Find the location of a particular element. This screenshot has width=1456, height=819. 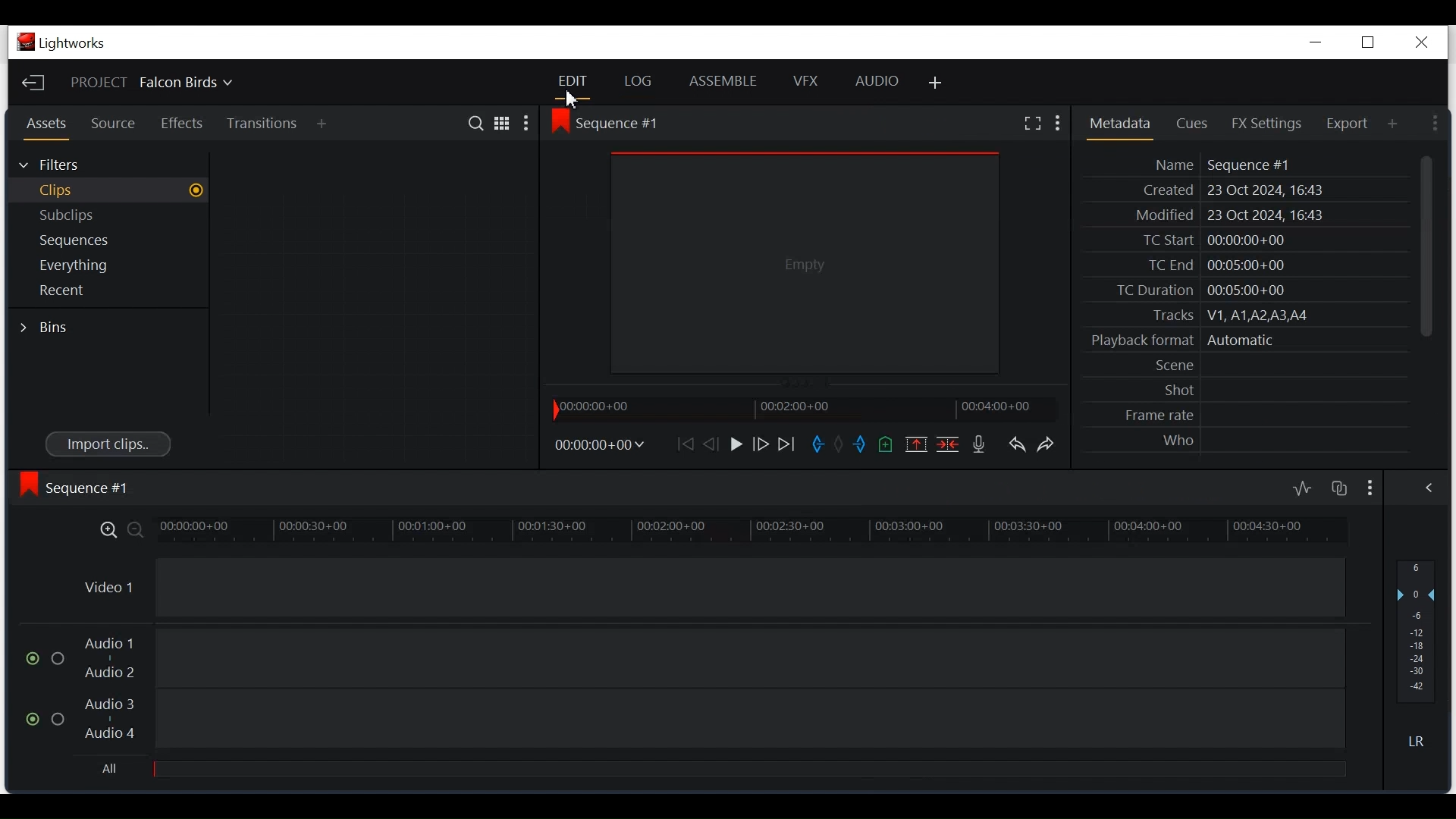

Transition is located at coordinates (262, 124).